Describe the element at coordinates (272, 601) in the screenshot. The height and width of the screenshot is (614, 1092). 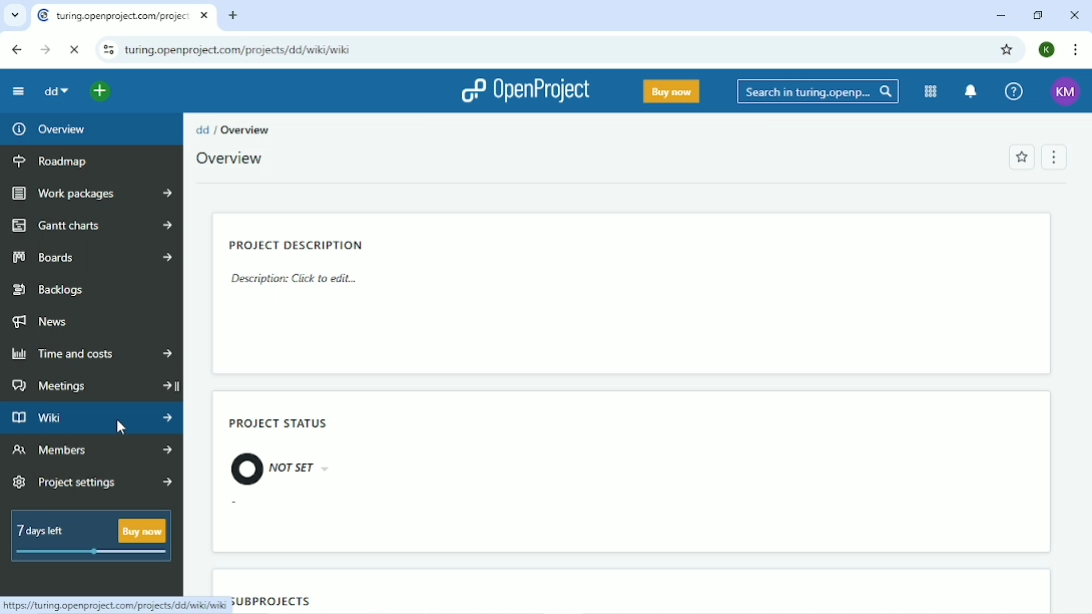
I see `Subprojects` at that location.